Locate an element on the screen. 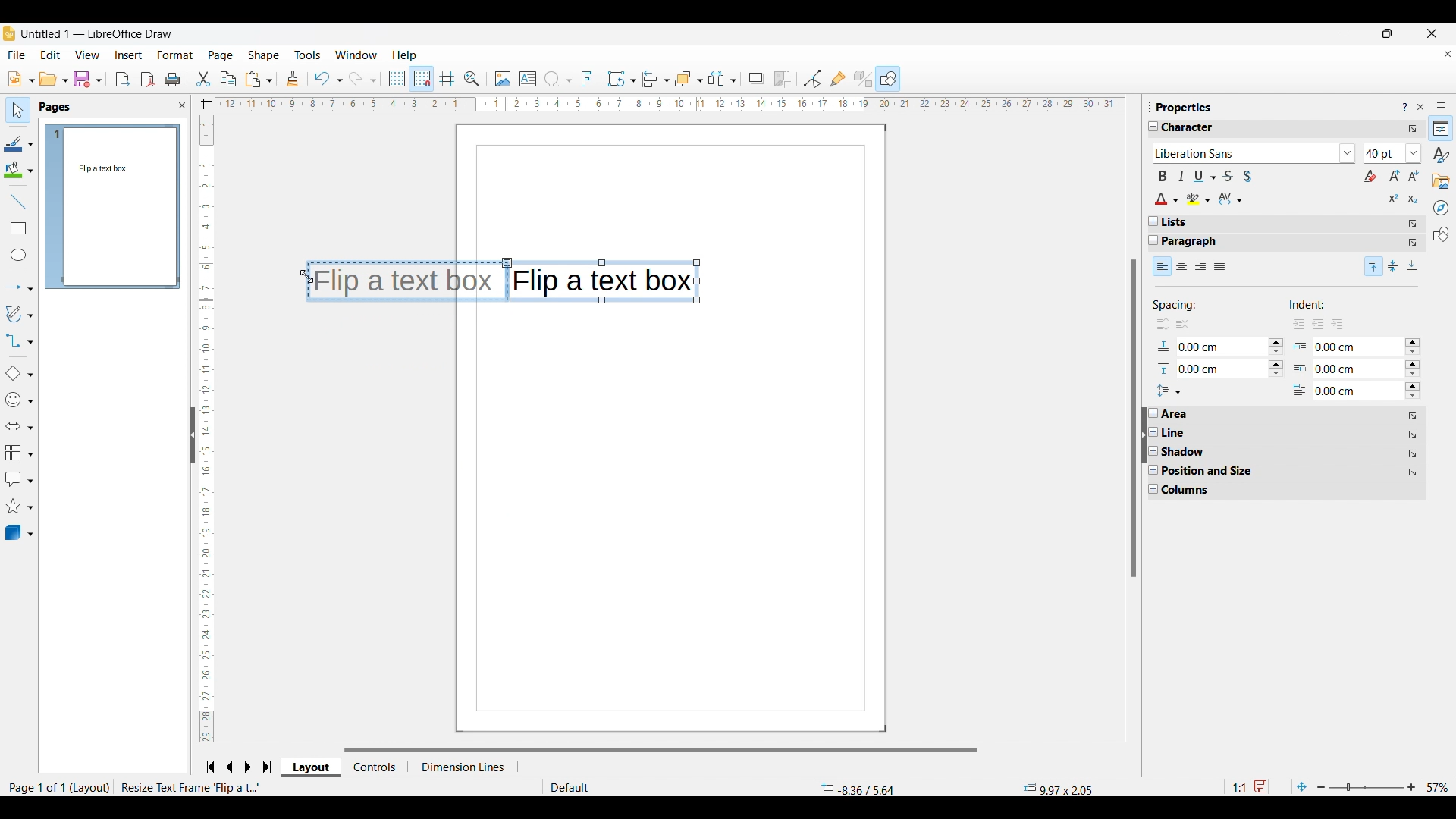 The image size is (1456, 819). More options for respective sub-title is located at coordinates (1414, 233).